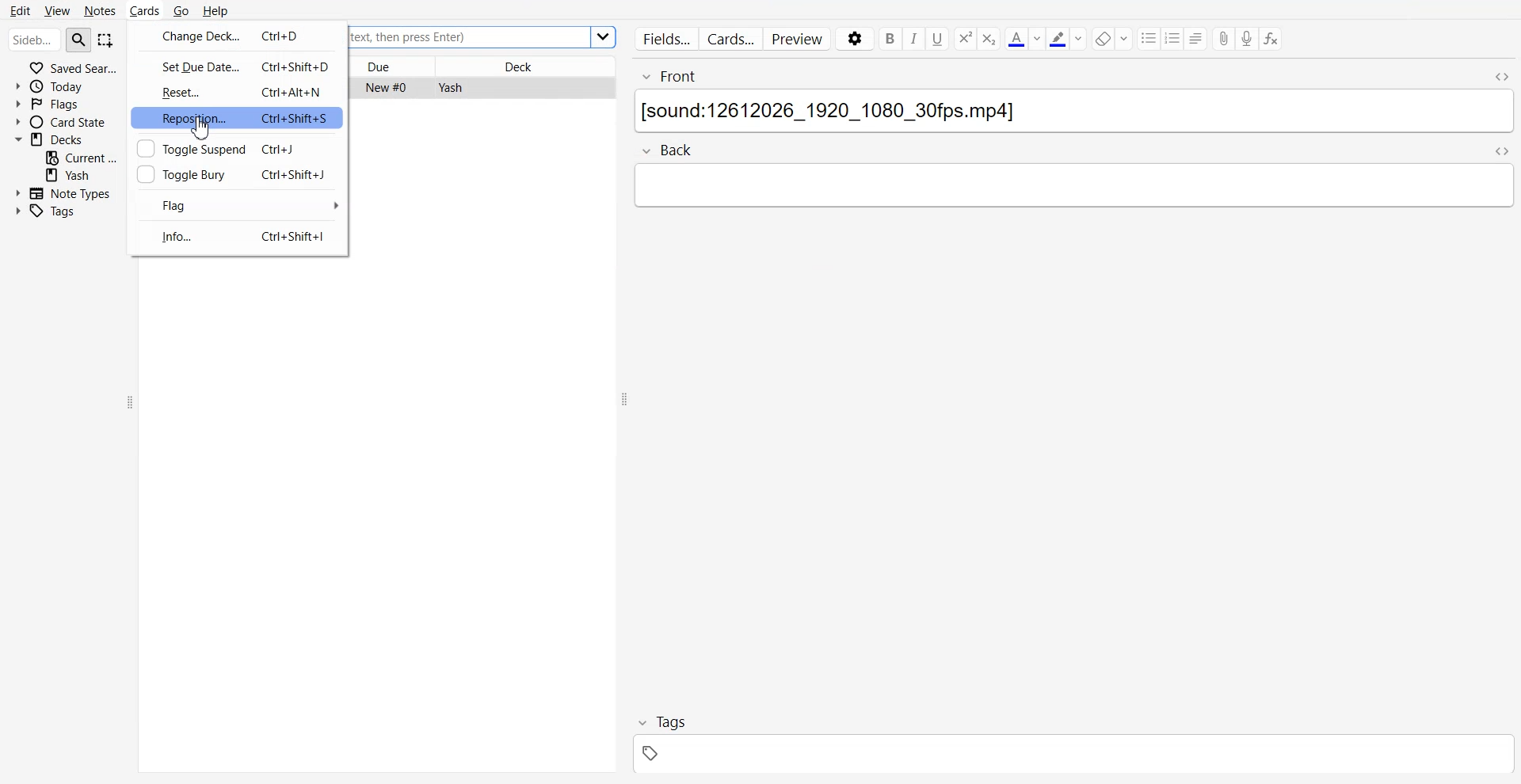  I want to click on Front, so click(1050, 75).